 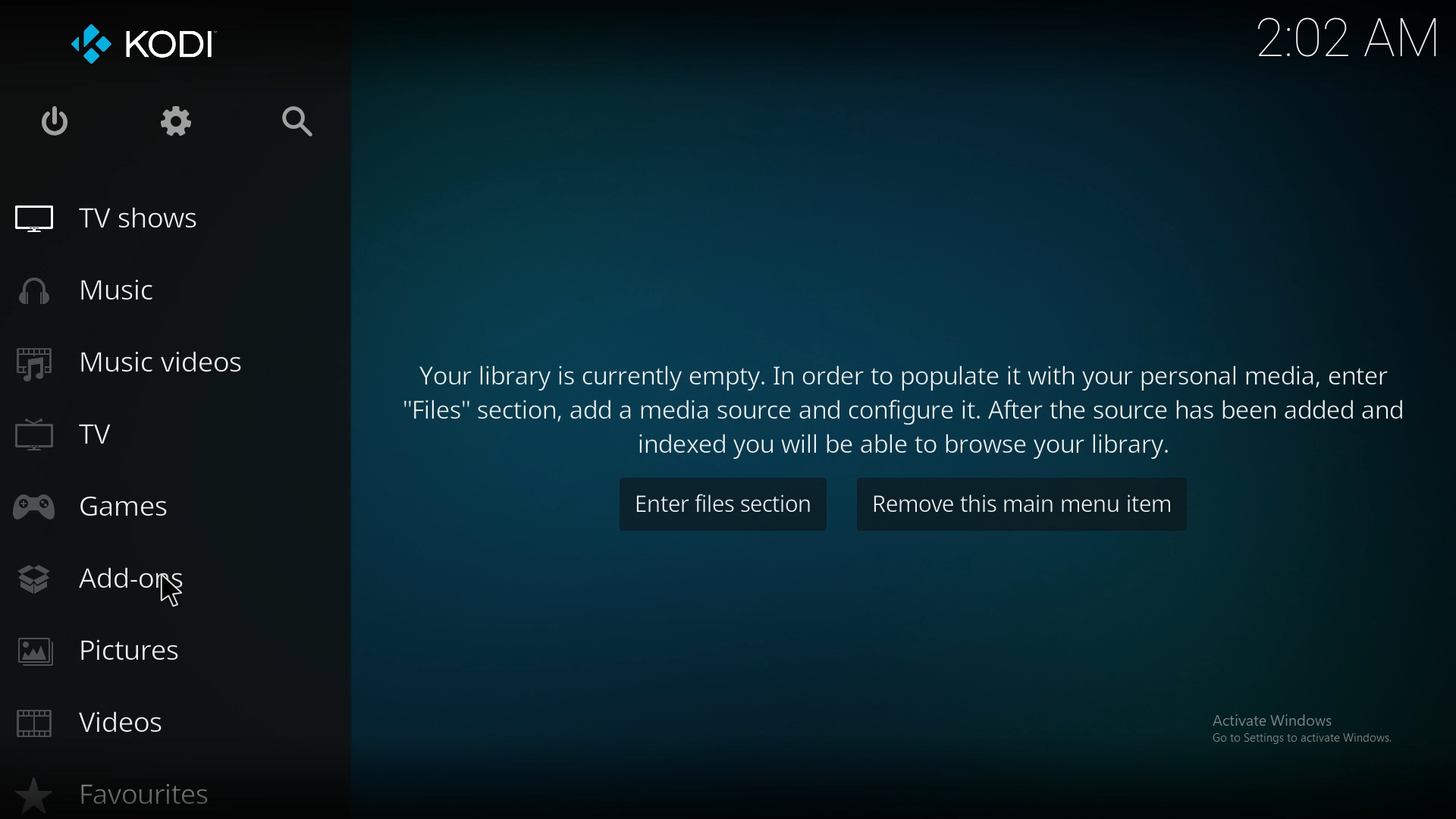 What do you see at coordinates (1313, 739) in the screenshot?
I see `Activate Windows
Go to Settings to activate Windows.` at bounding box center [1313, 739].